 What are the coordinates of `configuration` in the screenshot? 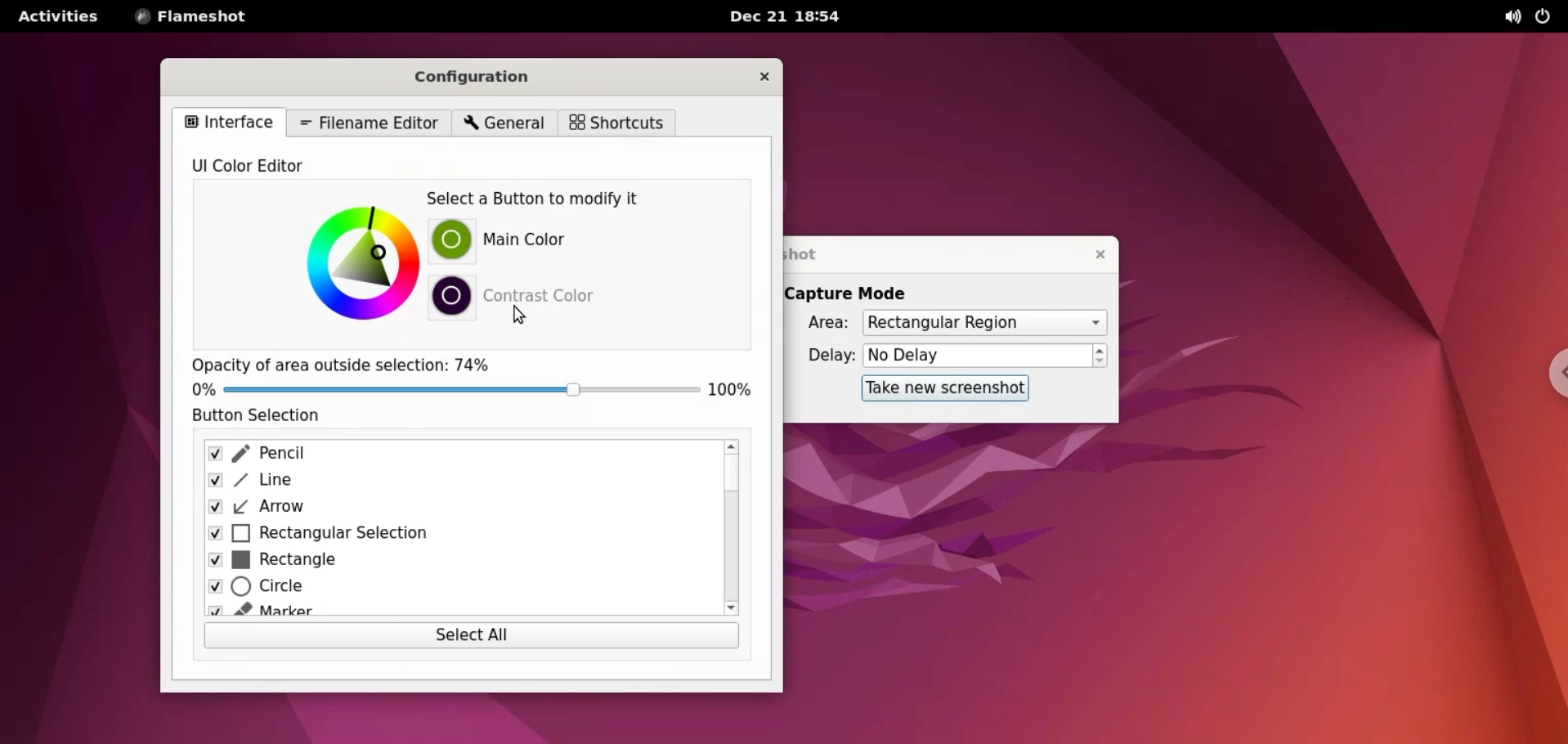 It's located at (495, 79).